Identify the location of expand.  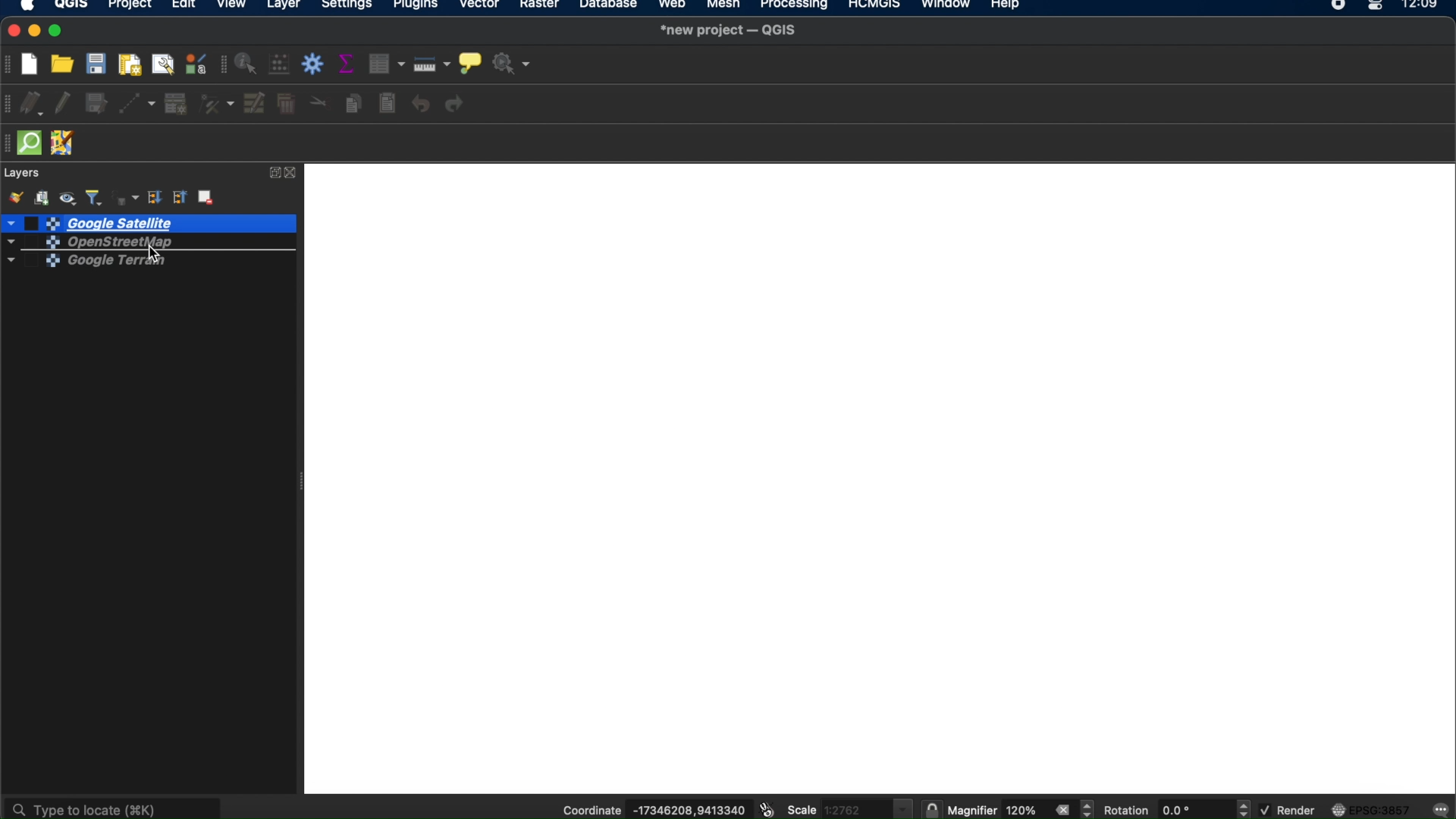
(272, 173).